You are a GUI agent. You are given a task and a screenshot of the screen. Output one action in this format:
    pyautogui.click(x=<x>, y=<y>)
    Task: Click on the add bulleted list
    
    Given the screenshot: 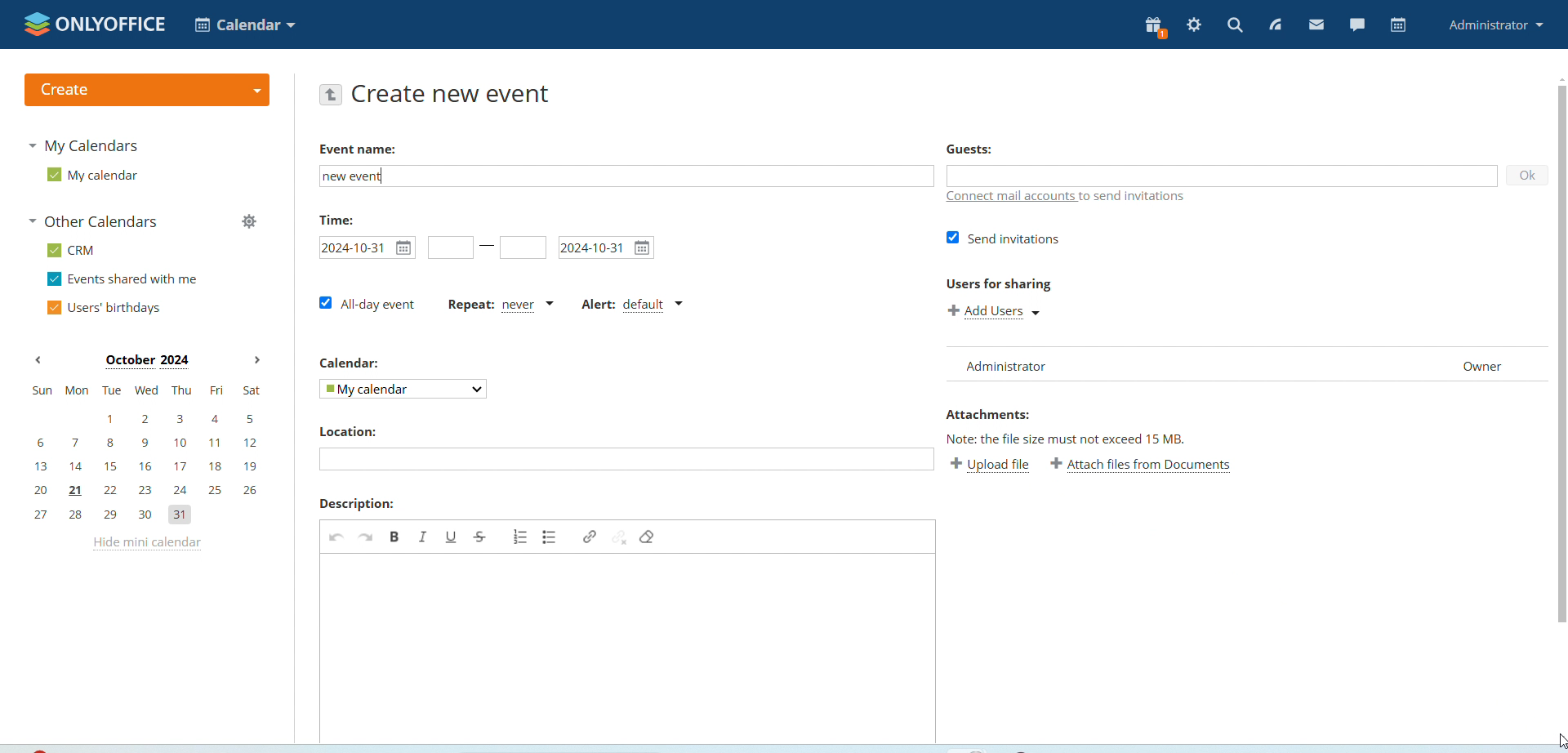 What is the action you would take?
    pyautogui.click(x=549, y=538)
    